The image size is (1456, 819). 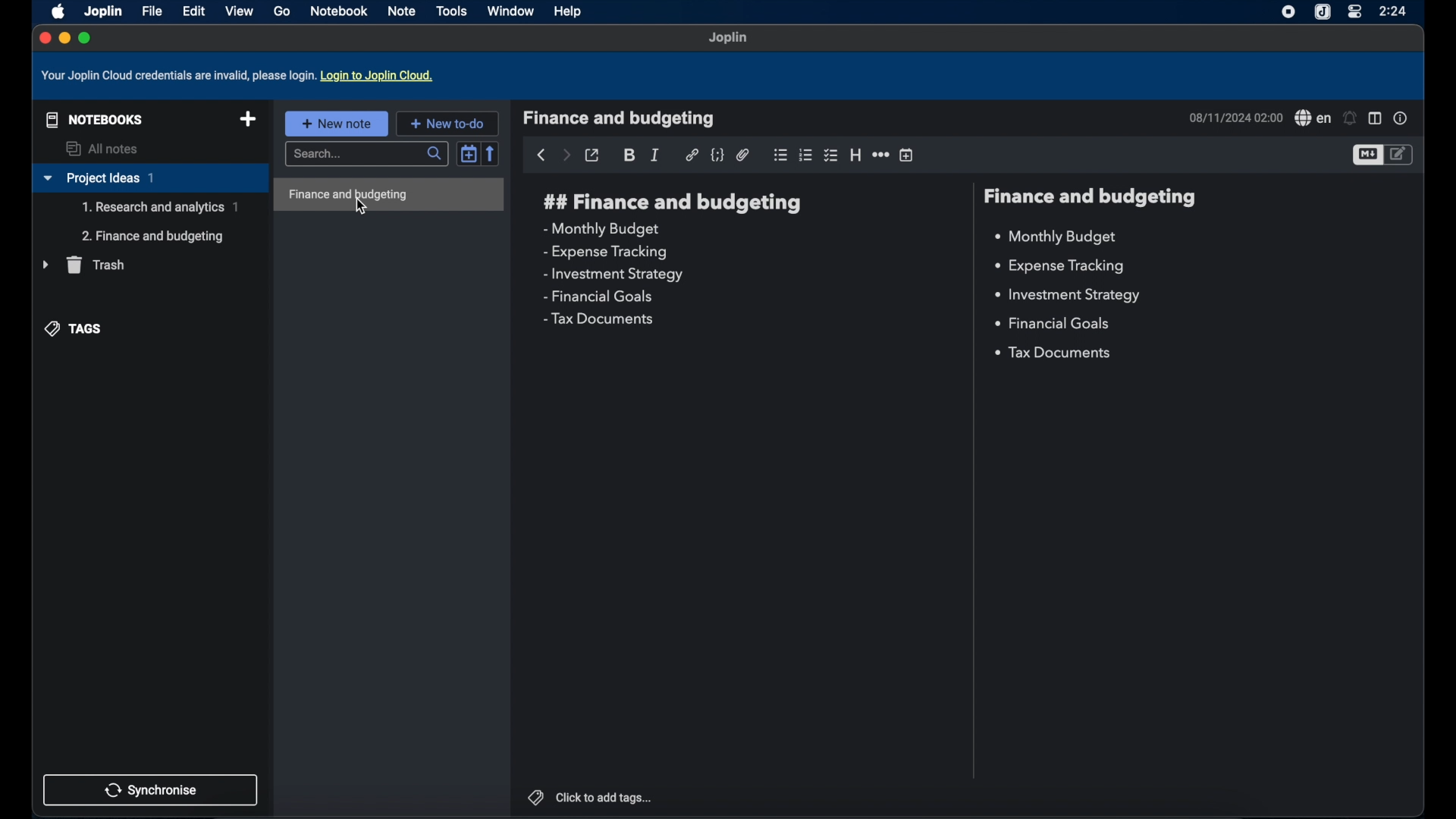 I want to click on expense tracking, so click(x=605, y=252).